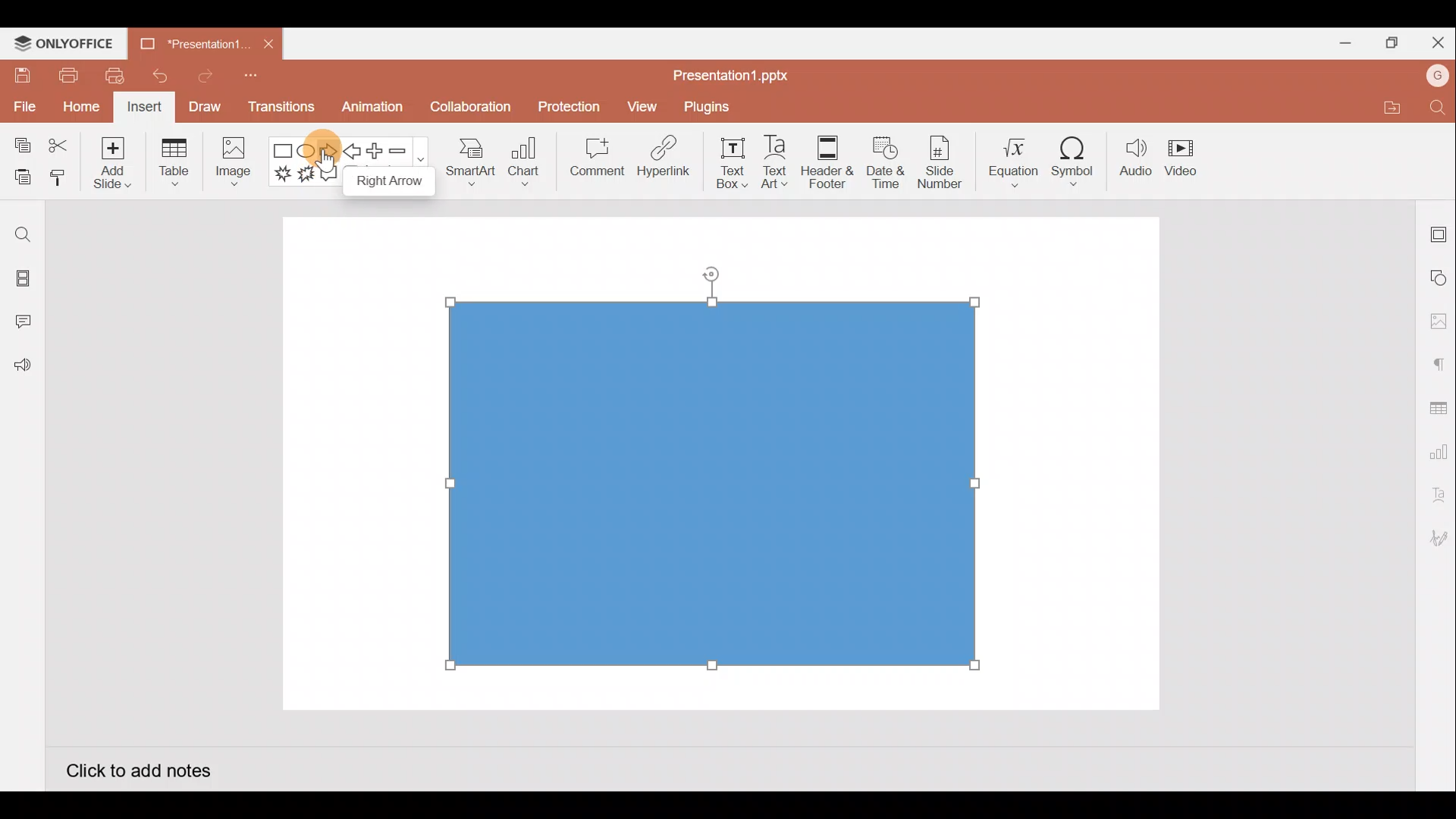  Describe the element at coordinates (110, 159) in the screenshot. I see `Add slide` at that location.